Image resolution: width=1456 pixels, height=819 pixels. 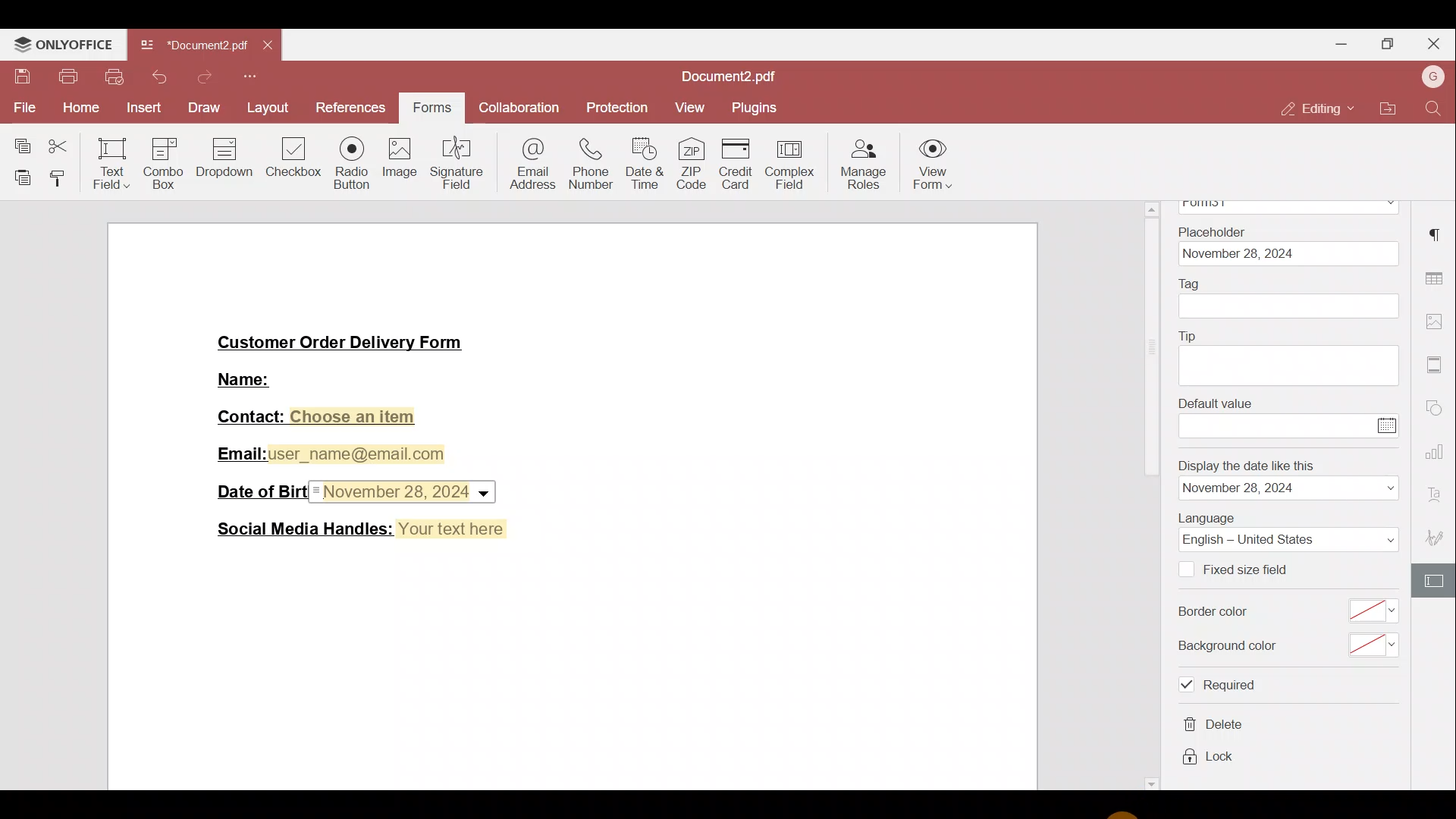 I want to click on Checkbox, so click(x=295, y=163).